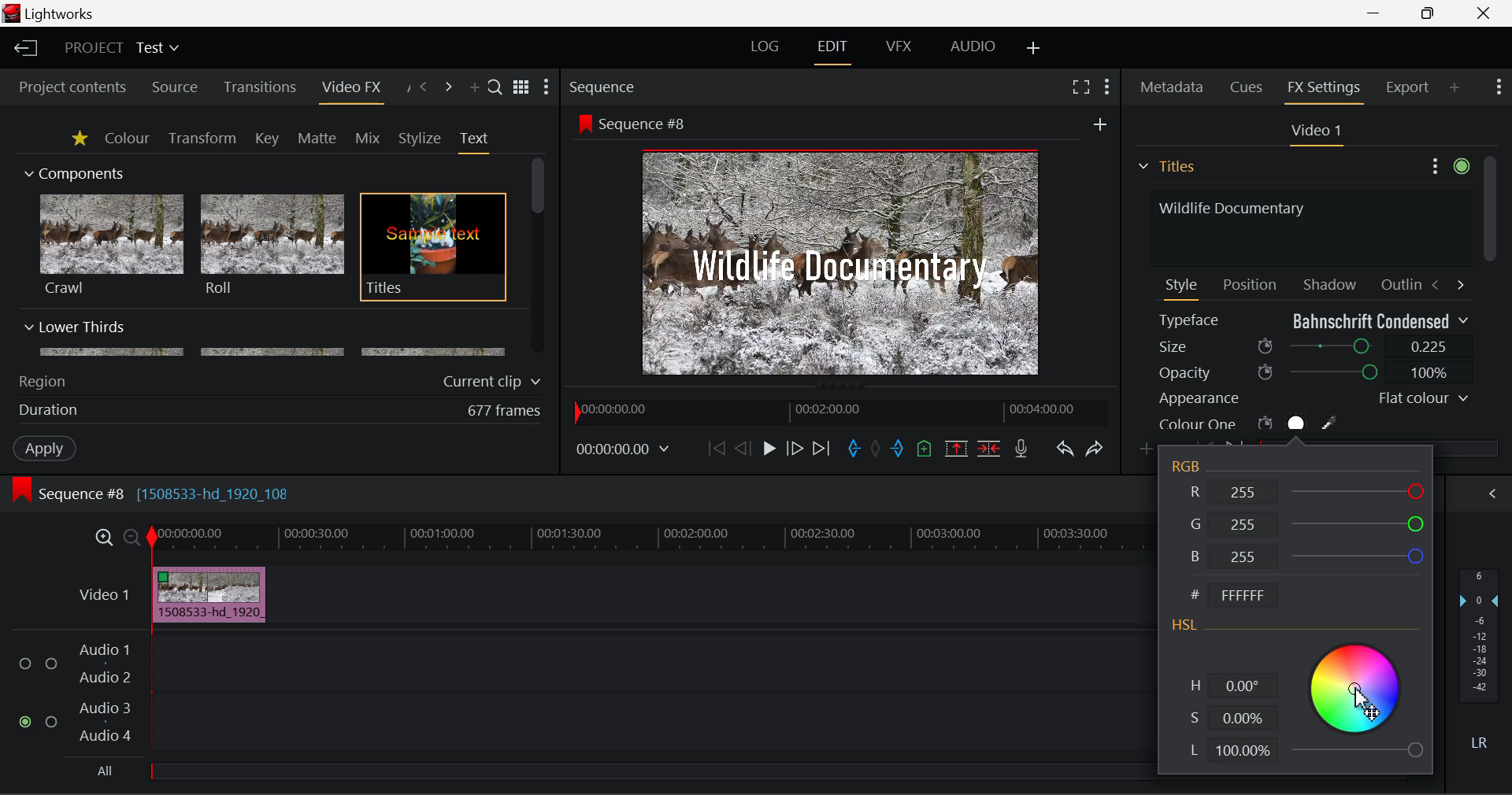  What do you see at coordinates (1096, 449) in the screenshot?
I see `Redo` at bounding box center [1096, 449].